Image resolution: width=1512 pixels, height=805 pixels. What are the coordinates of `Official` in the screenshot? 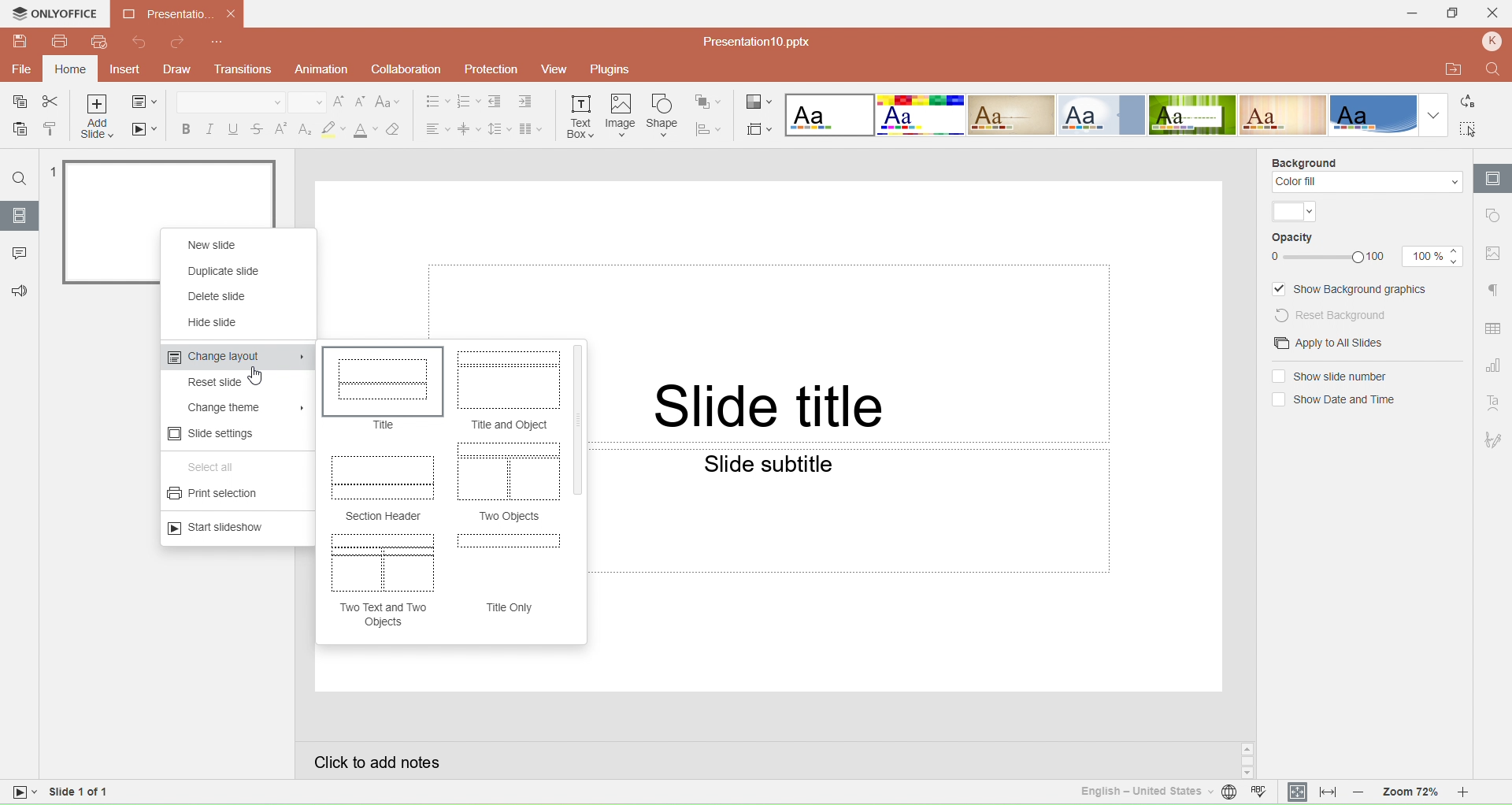 It's located at (1101, 115).